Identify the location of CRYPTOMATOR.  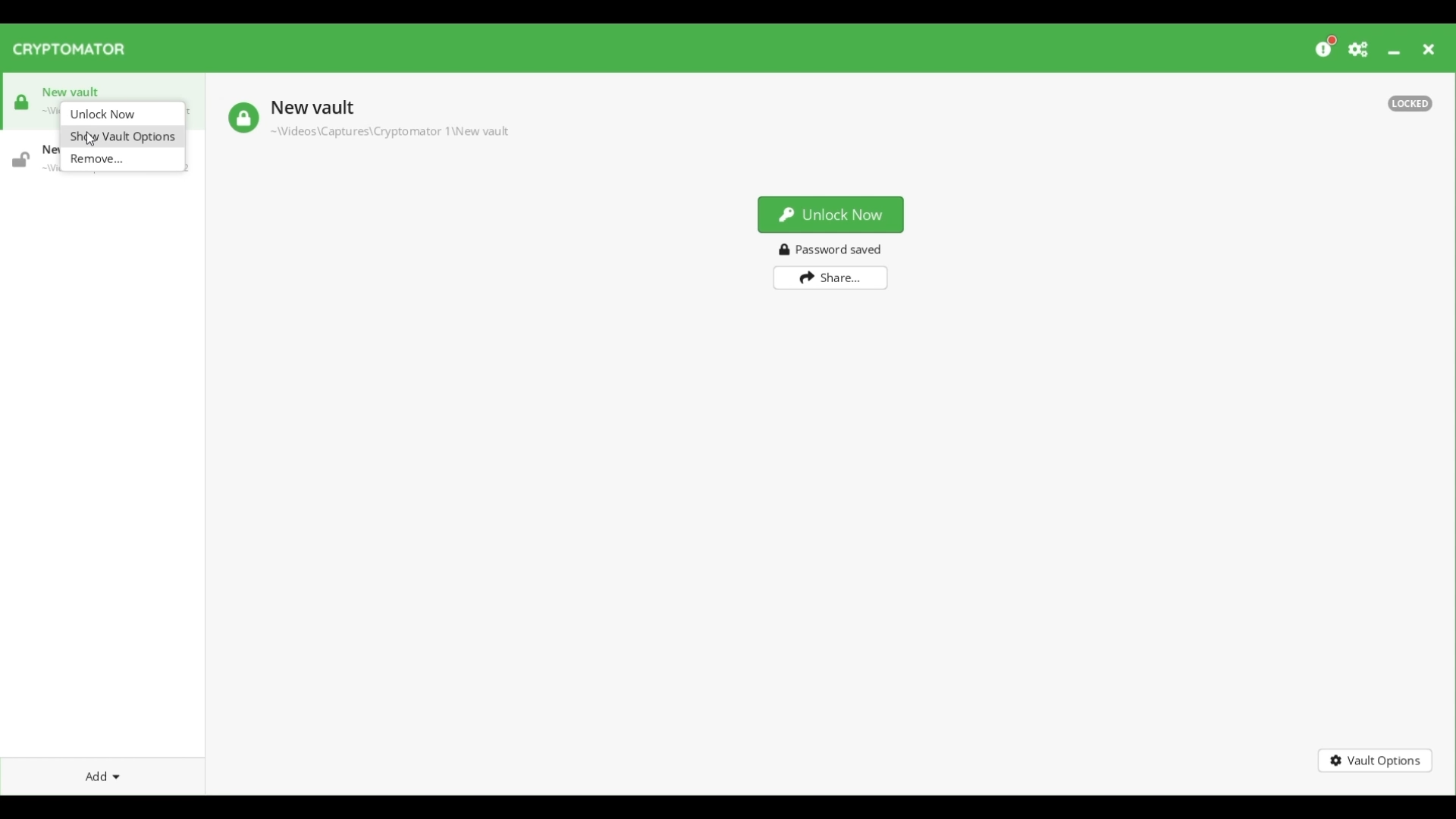
(76, 50).